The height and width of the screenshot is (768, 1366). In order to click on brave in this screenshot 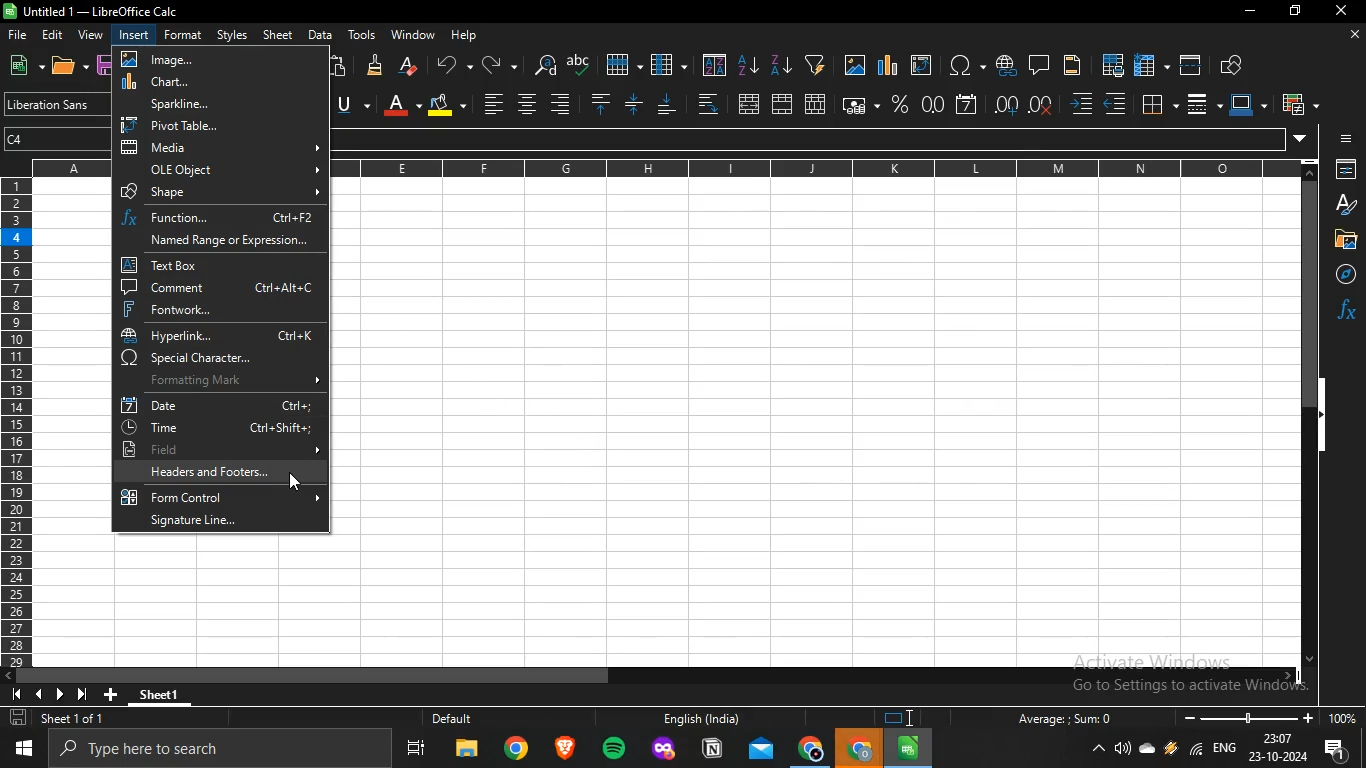, I will do `click(563, 749)`.